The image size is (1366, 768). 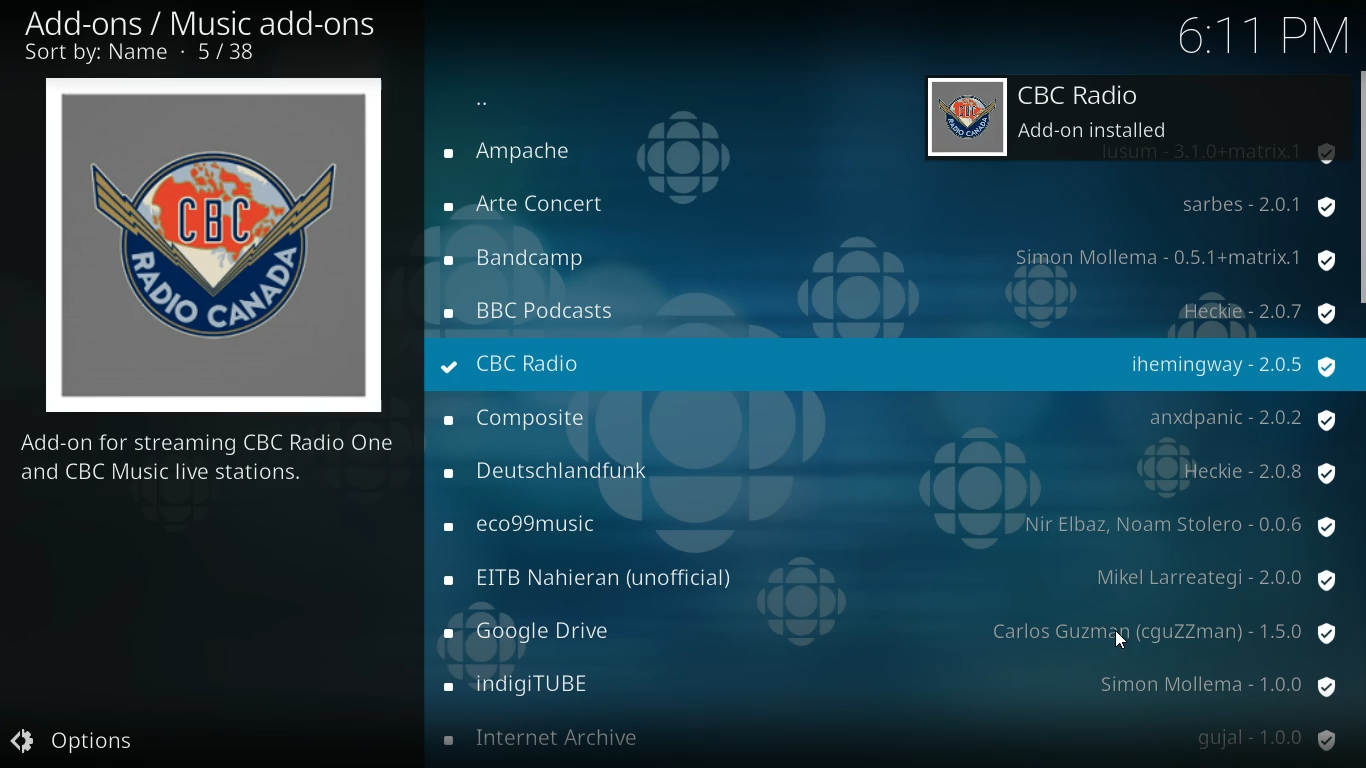 What do you see at coordinates (1242, 472) in the screenshot?
I see `protection` at bounding box center [1242, 472].